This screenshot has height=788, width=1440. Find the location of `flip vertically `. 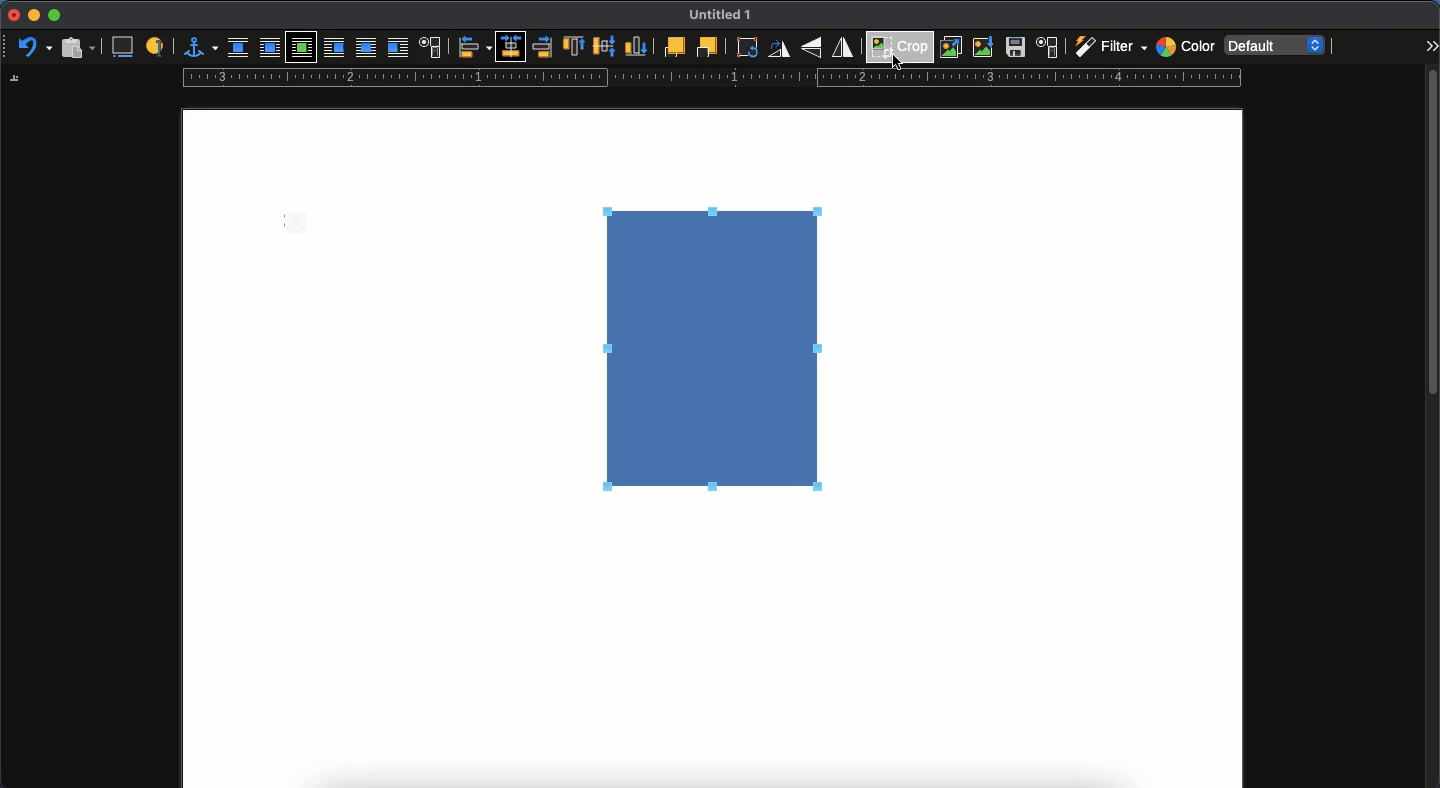

flip vertically  is located at coordinates (814, 47).